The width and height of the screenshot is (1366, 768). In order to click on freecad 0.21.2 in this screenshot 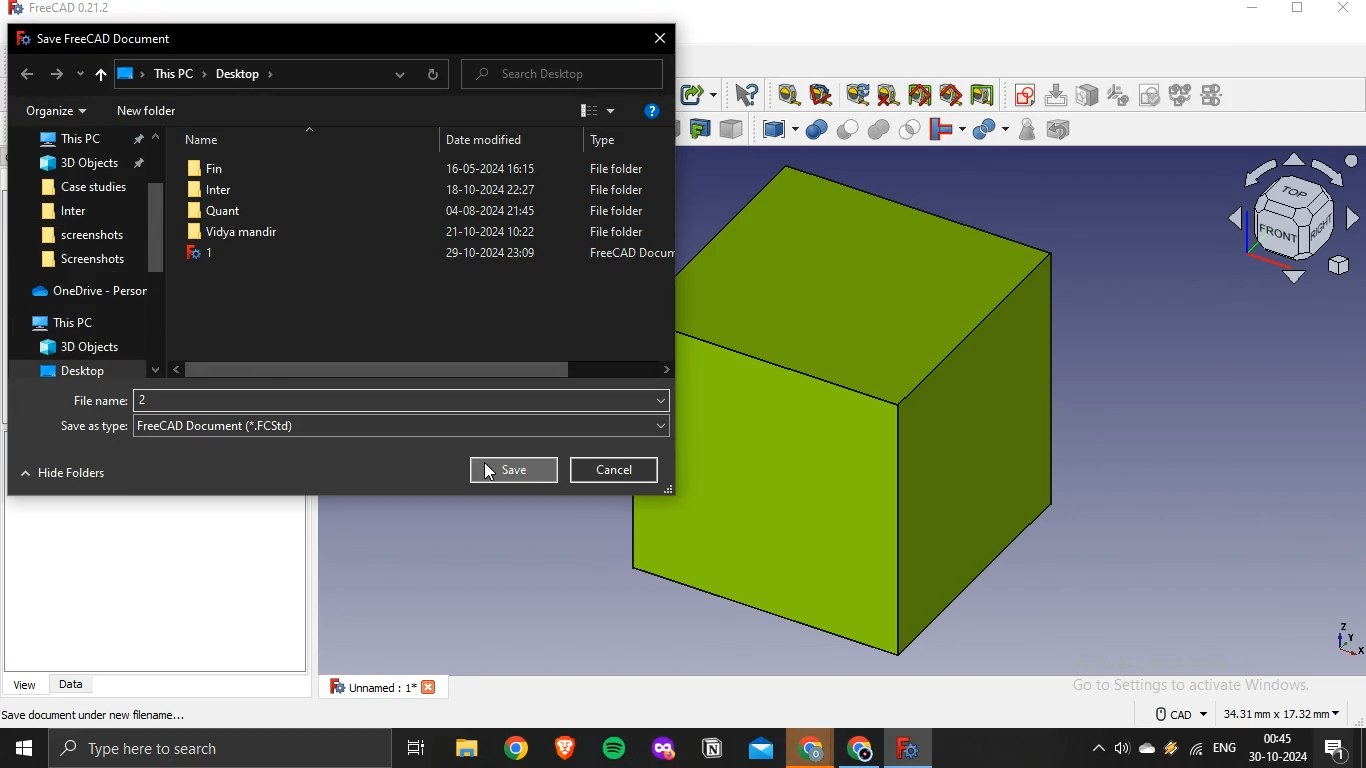, I will do `click(58, 9)`.